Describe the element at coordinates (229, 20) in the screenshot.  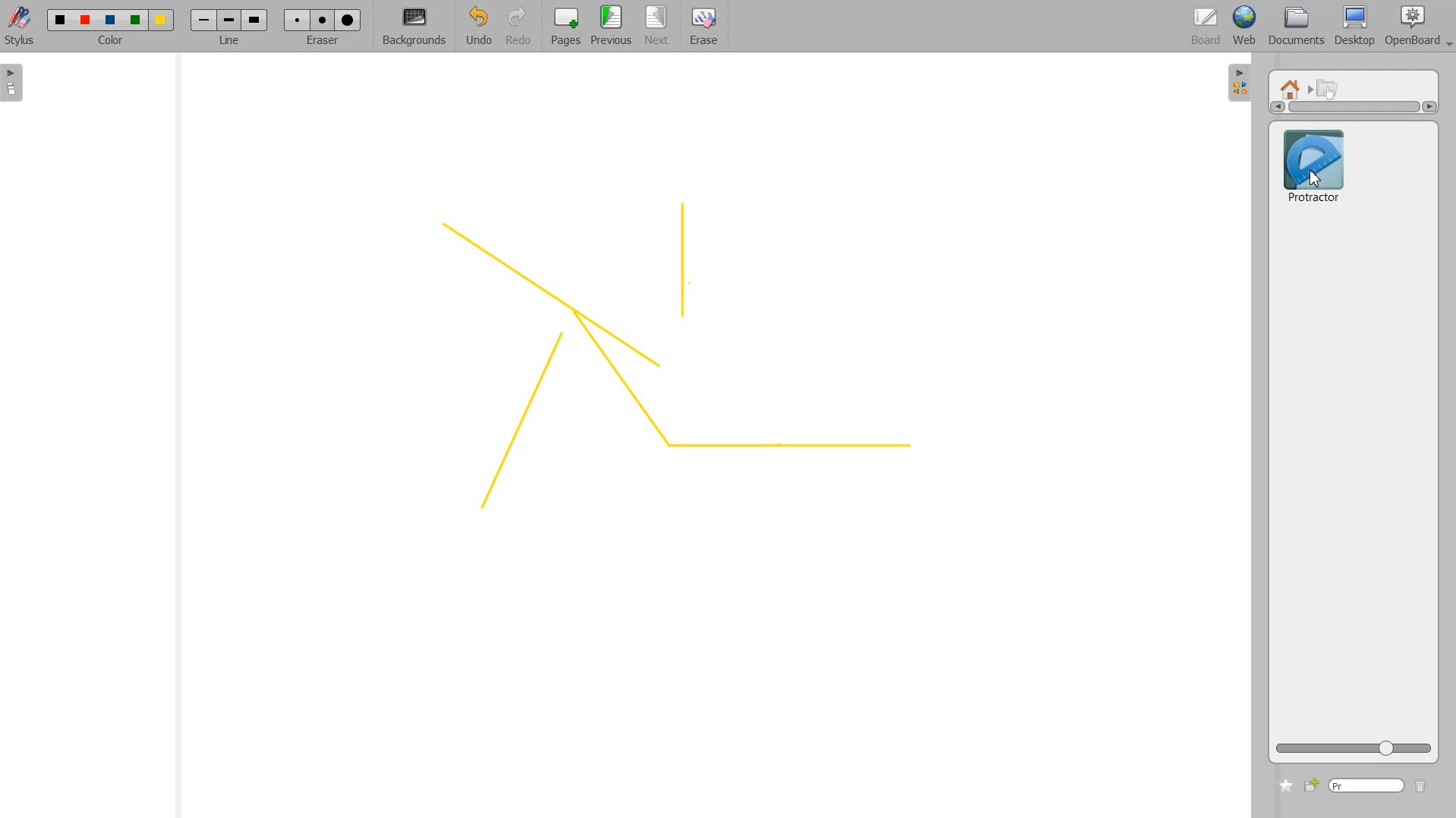
I see `Line` at that location.